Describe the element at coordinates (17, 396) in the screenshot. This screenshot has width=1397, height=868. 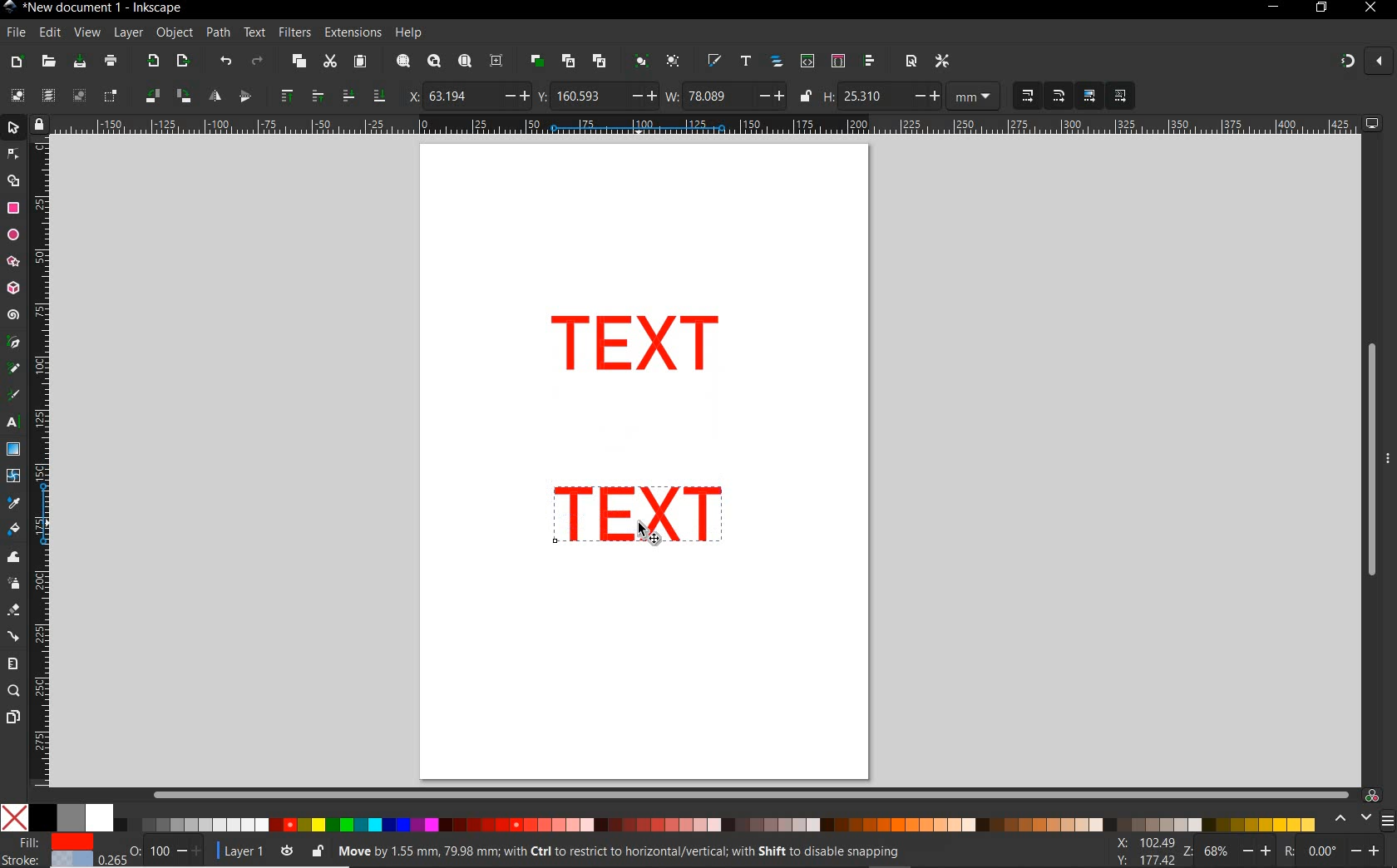
I see `calligraphy tool` at that location.